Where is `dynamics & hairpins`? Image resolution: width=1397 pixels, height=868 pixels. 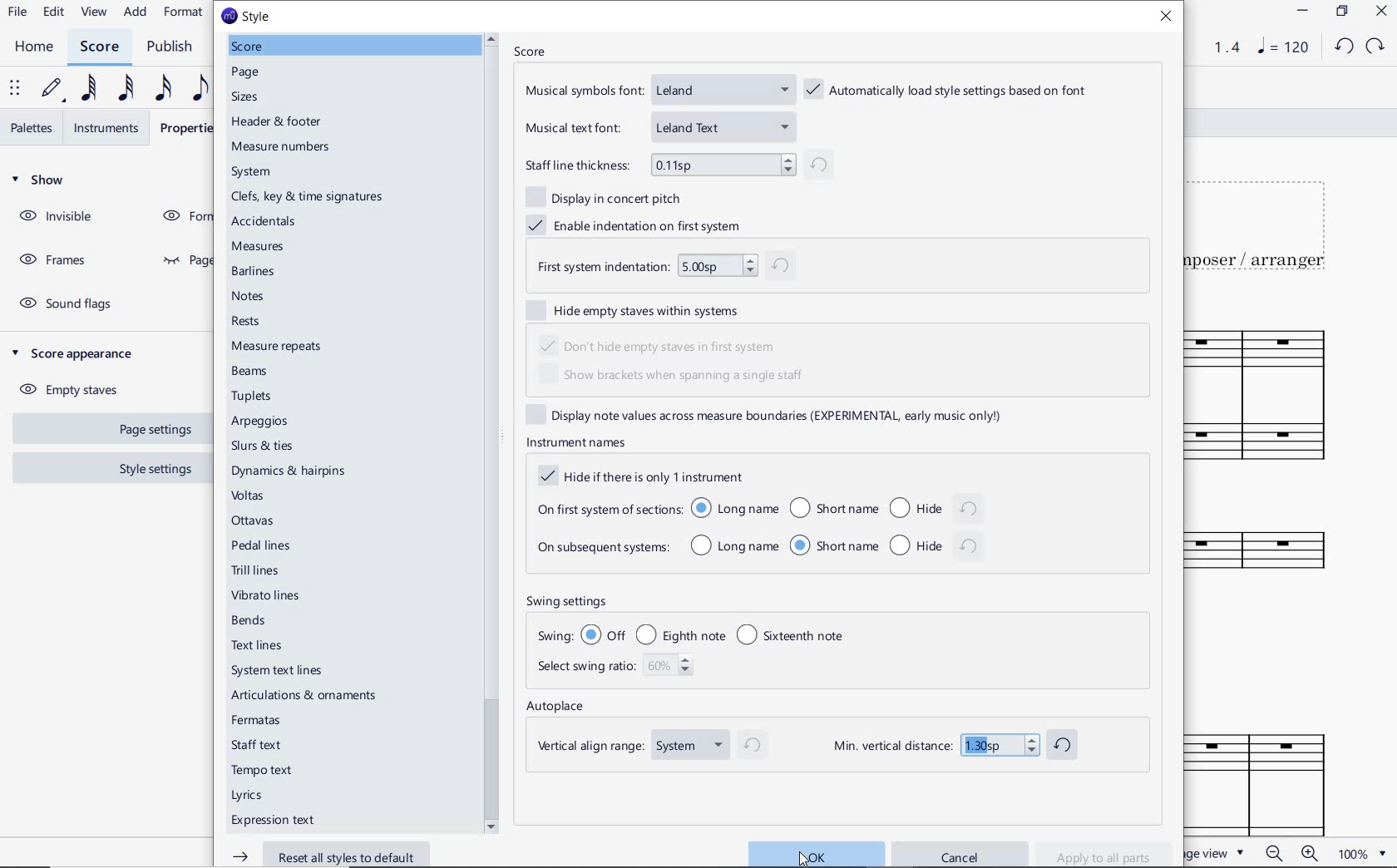 dynamics & hairpins is located at coordinates (293, 472).